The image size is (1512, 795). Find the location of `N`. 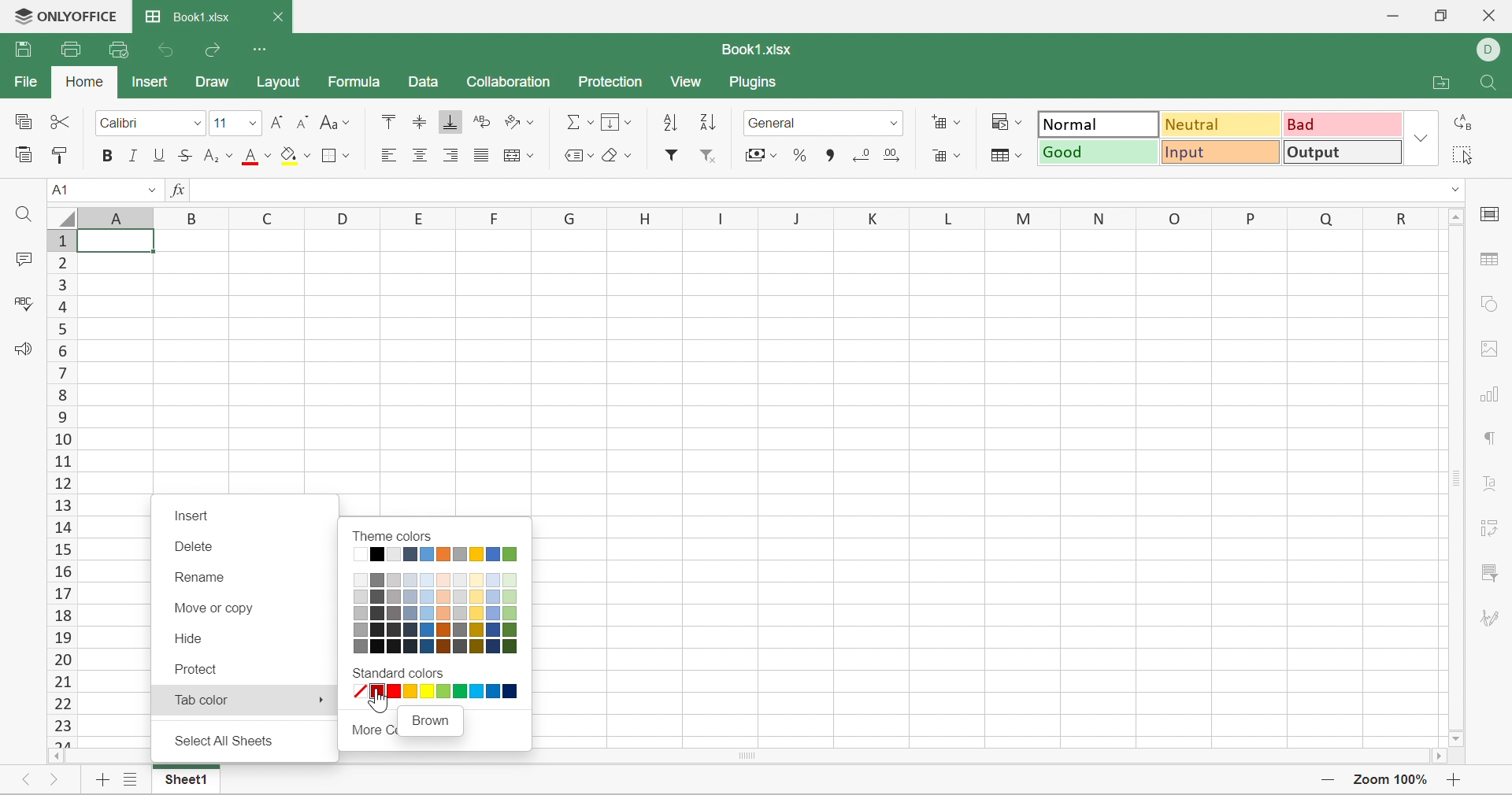

N is located at coordinates (1101, 217).